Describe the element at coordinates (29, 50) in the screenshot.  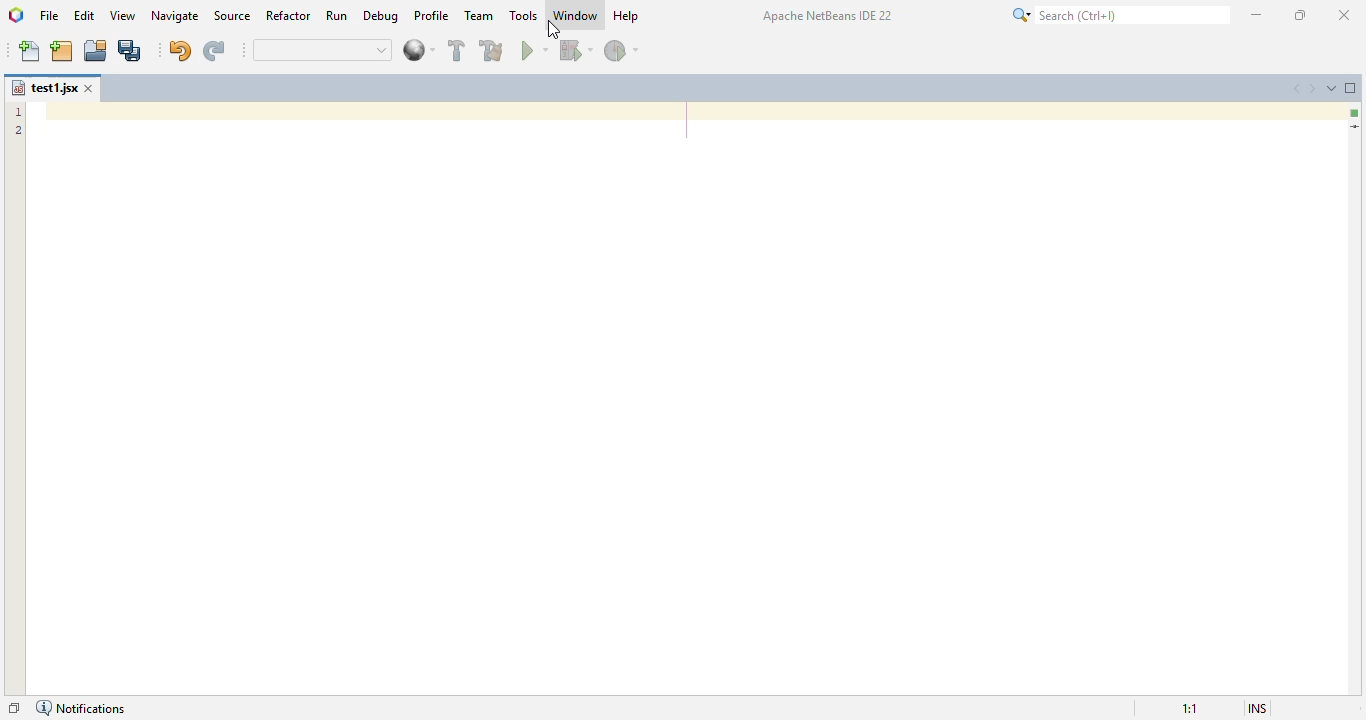
I see `new file` at that location.